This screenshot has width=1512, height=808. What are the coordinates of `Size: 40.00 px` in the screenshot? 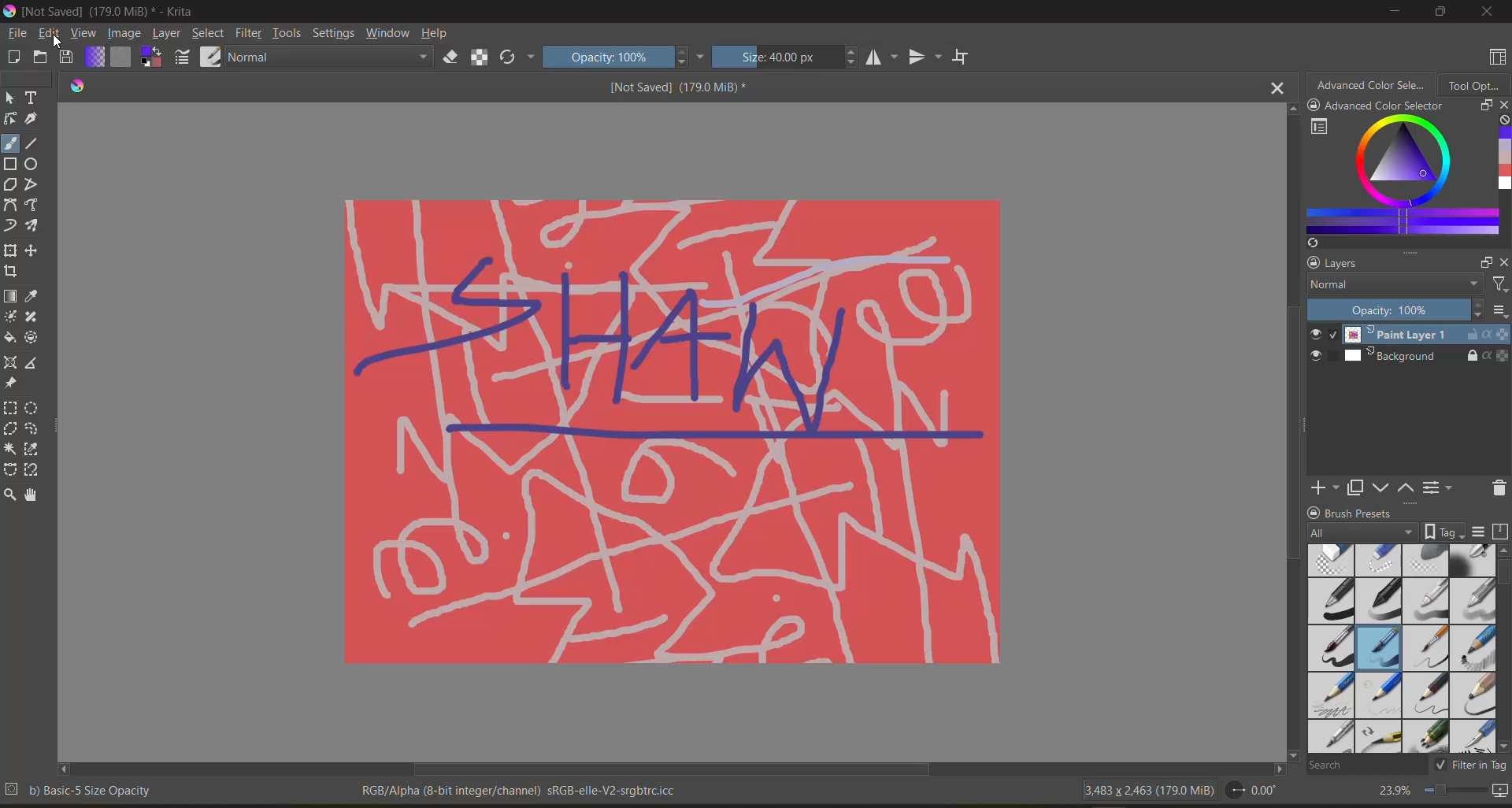 It's located at (787, 57).